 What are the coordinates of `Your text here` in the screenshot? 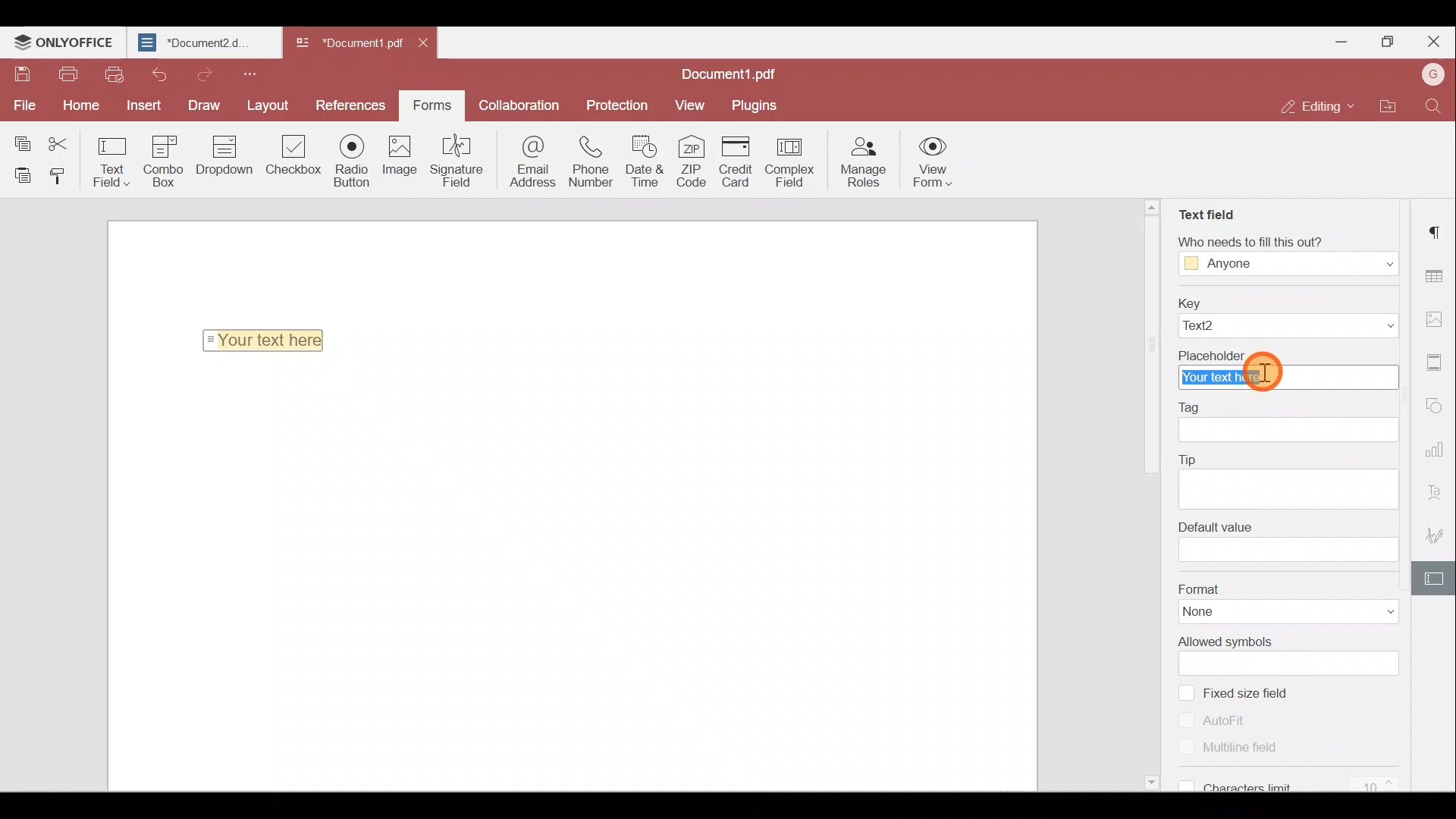 It's located at (1288, 378).